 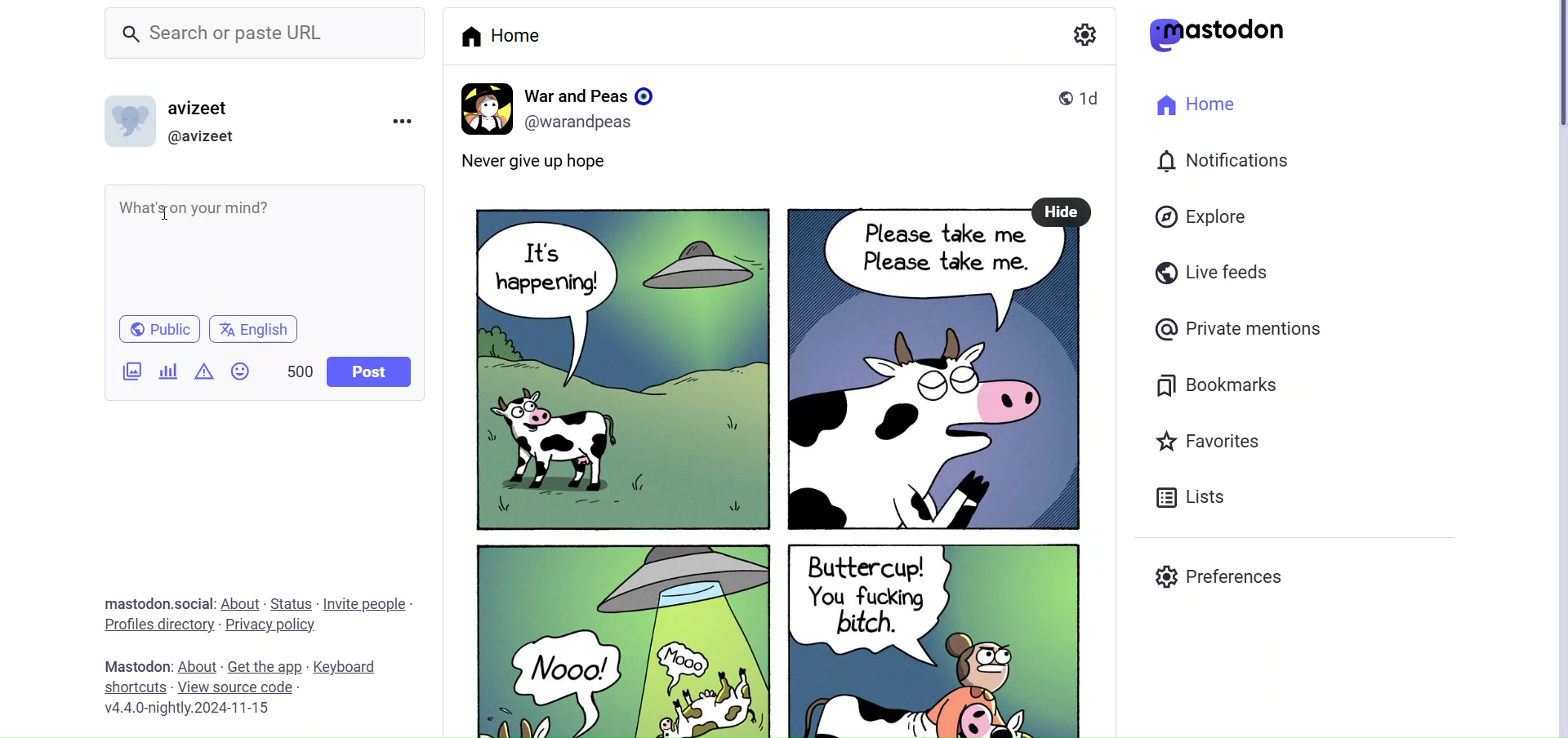 What do you see at coordinates (593, 93) in the screenshot?
I see `War and Peas` at bounding box center [593, 93].